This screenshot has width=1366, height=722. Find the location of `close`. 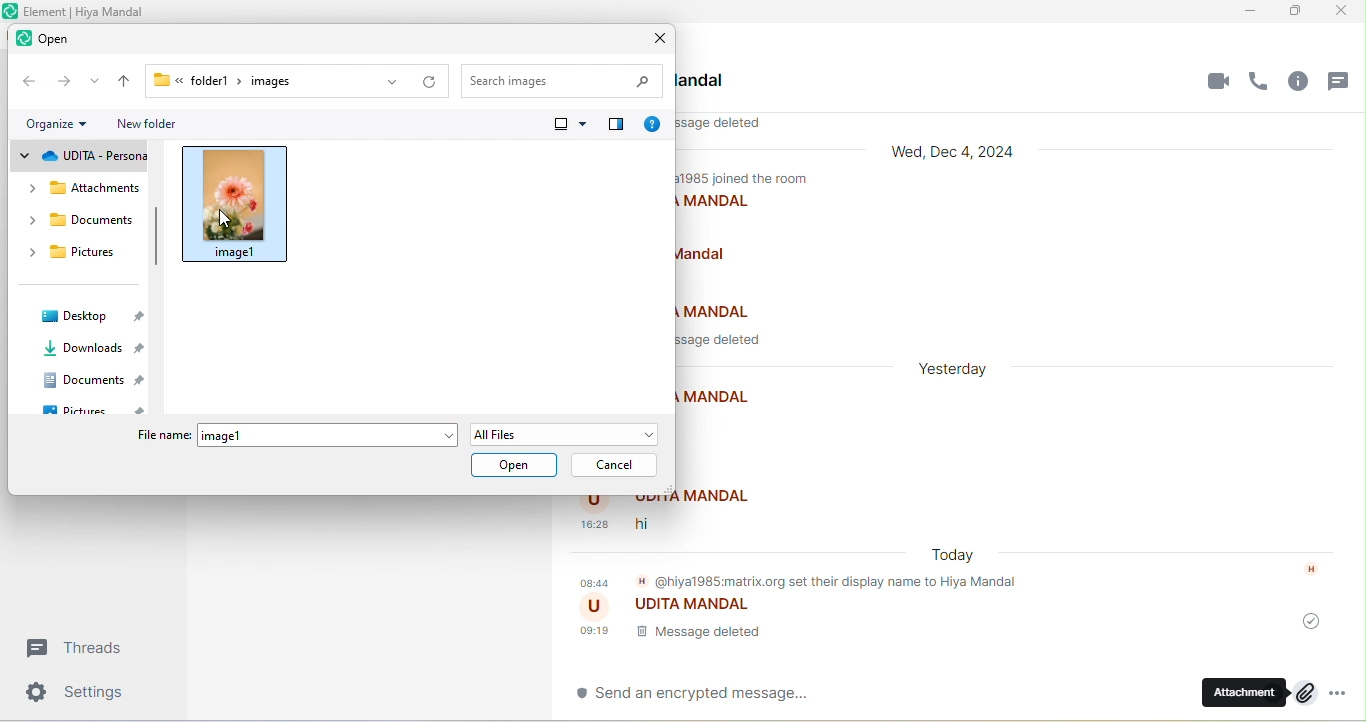

close is located at coordinates (1347, 10).